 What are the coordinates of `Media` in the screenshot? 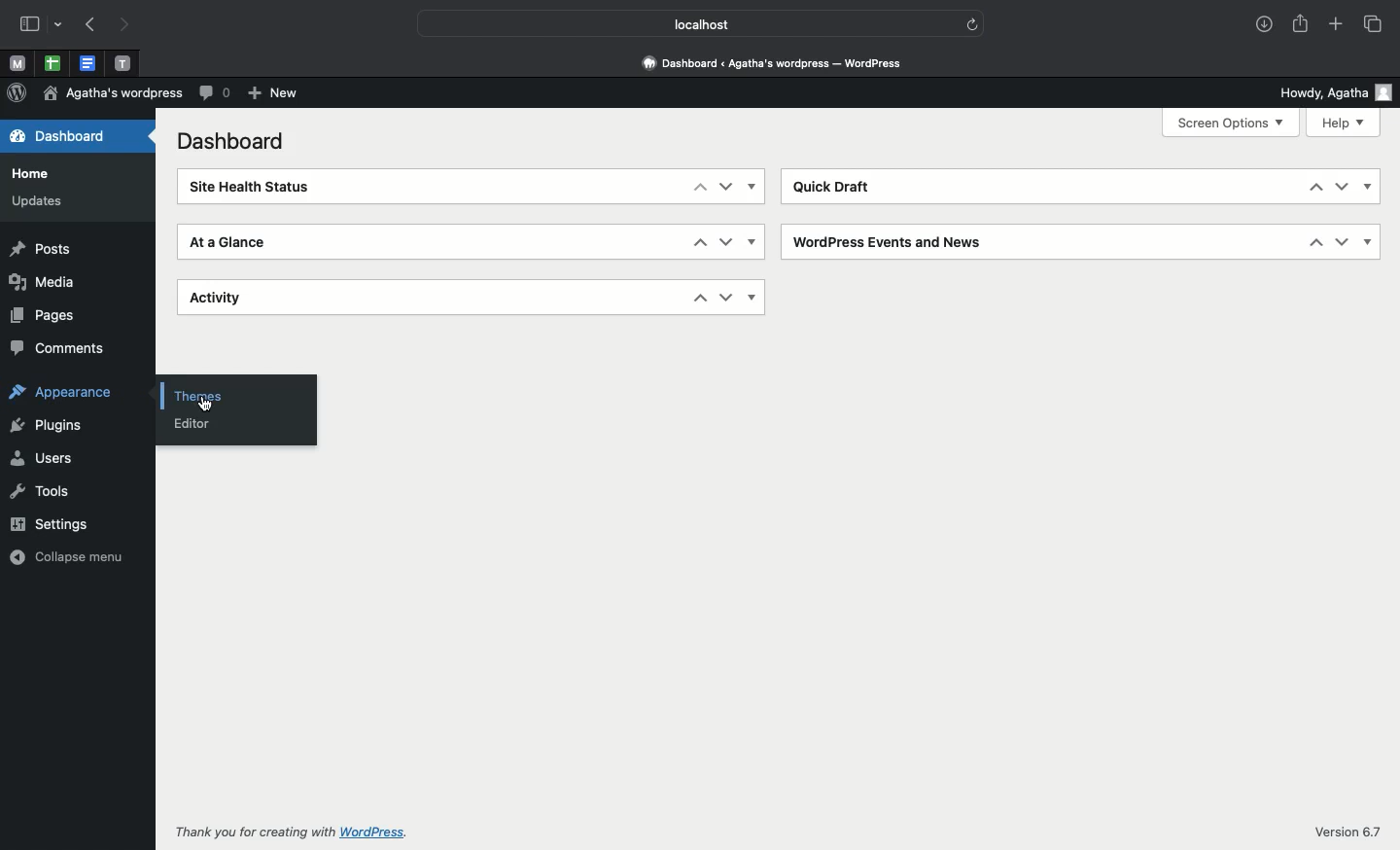 It's located at (43, 282).